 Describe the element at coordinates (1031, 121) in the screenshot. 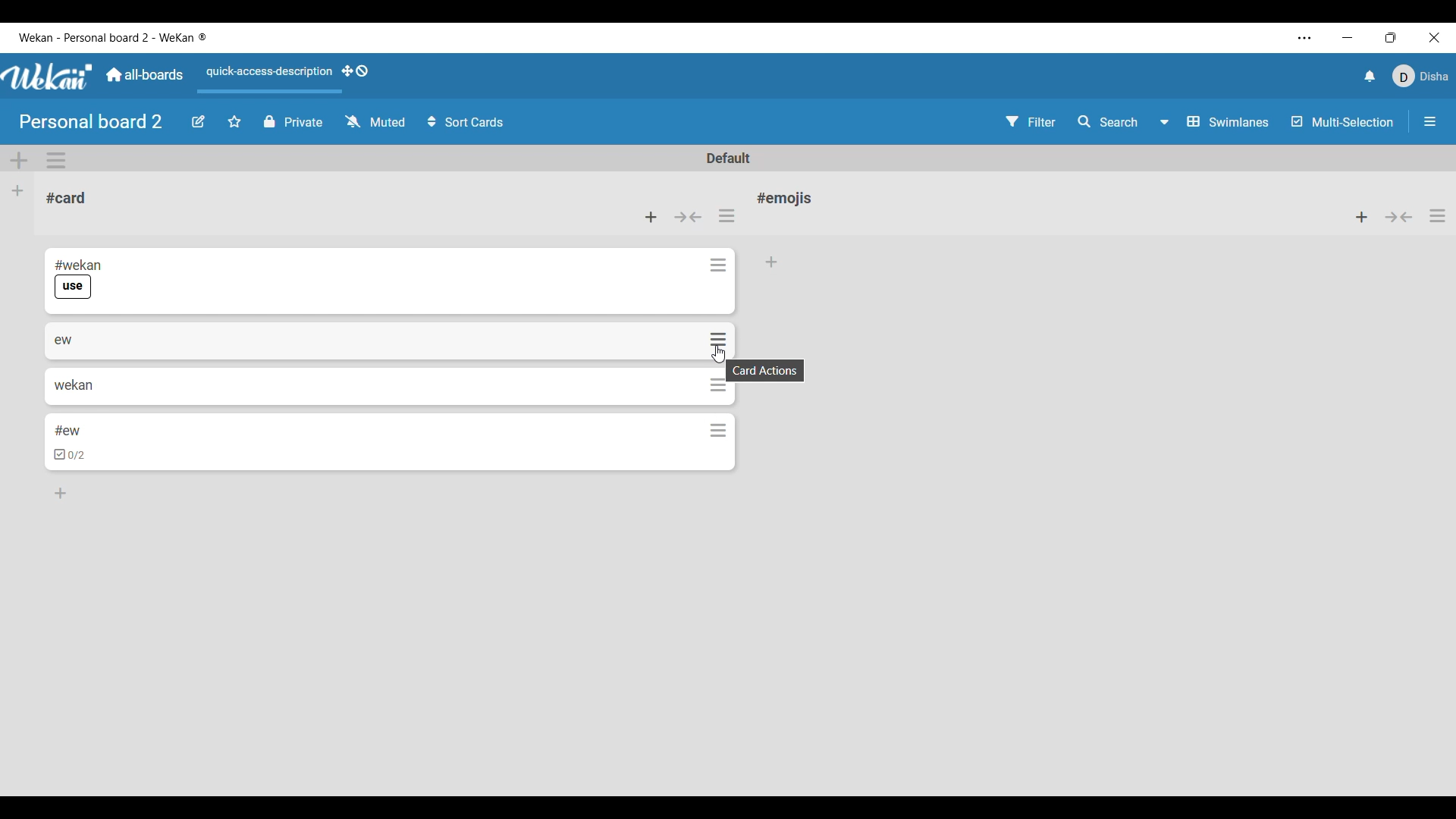

I see `Filter settings` at that location.